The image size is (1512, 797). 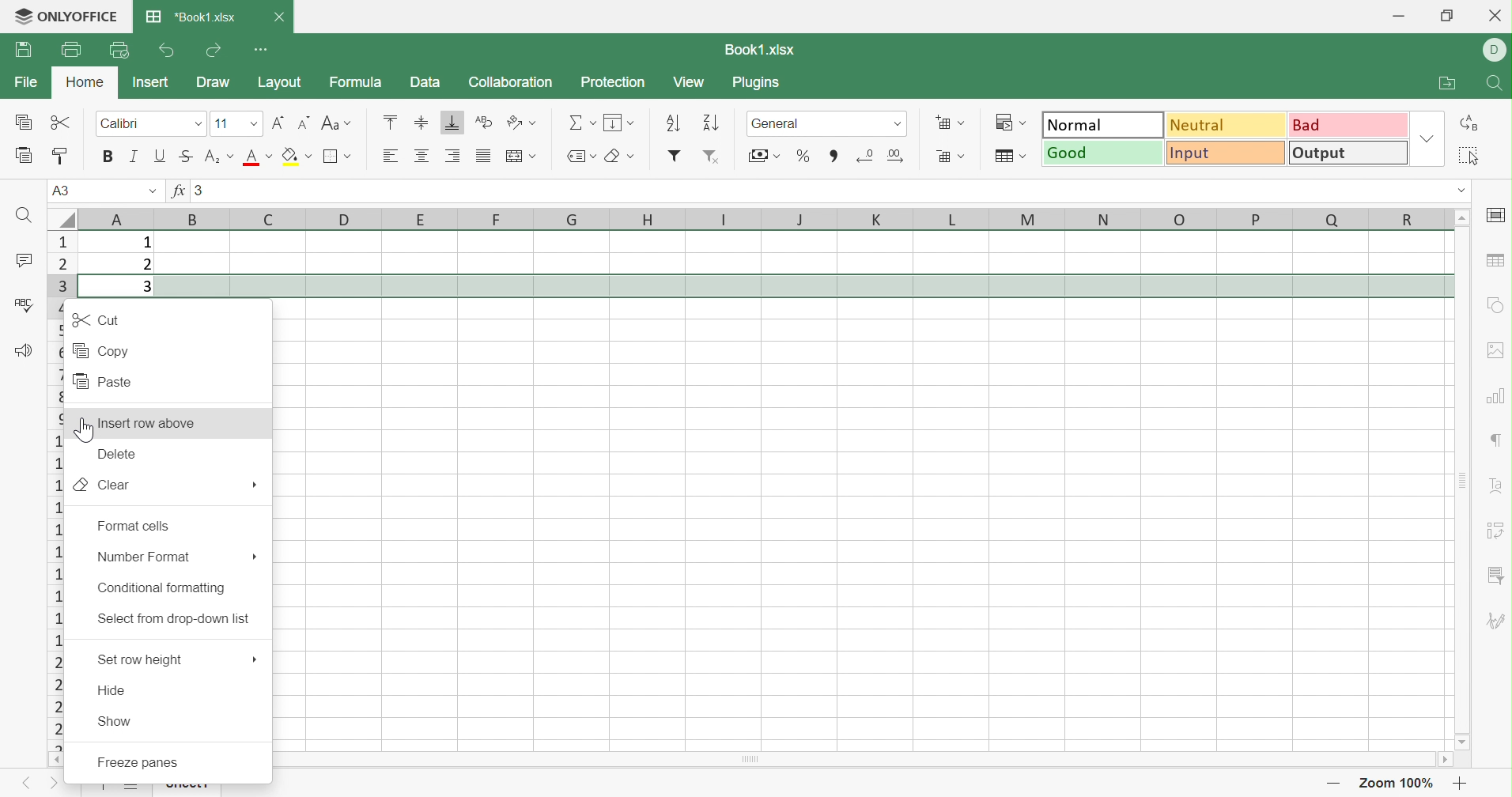 What do you see at coordinates (166, 50) in the screenshot?
I see `Undo` at bounding box center [166, 50].